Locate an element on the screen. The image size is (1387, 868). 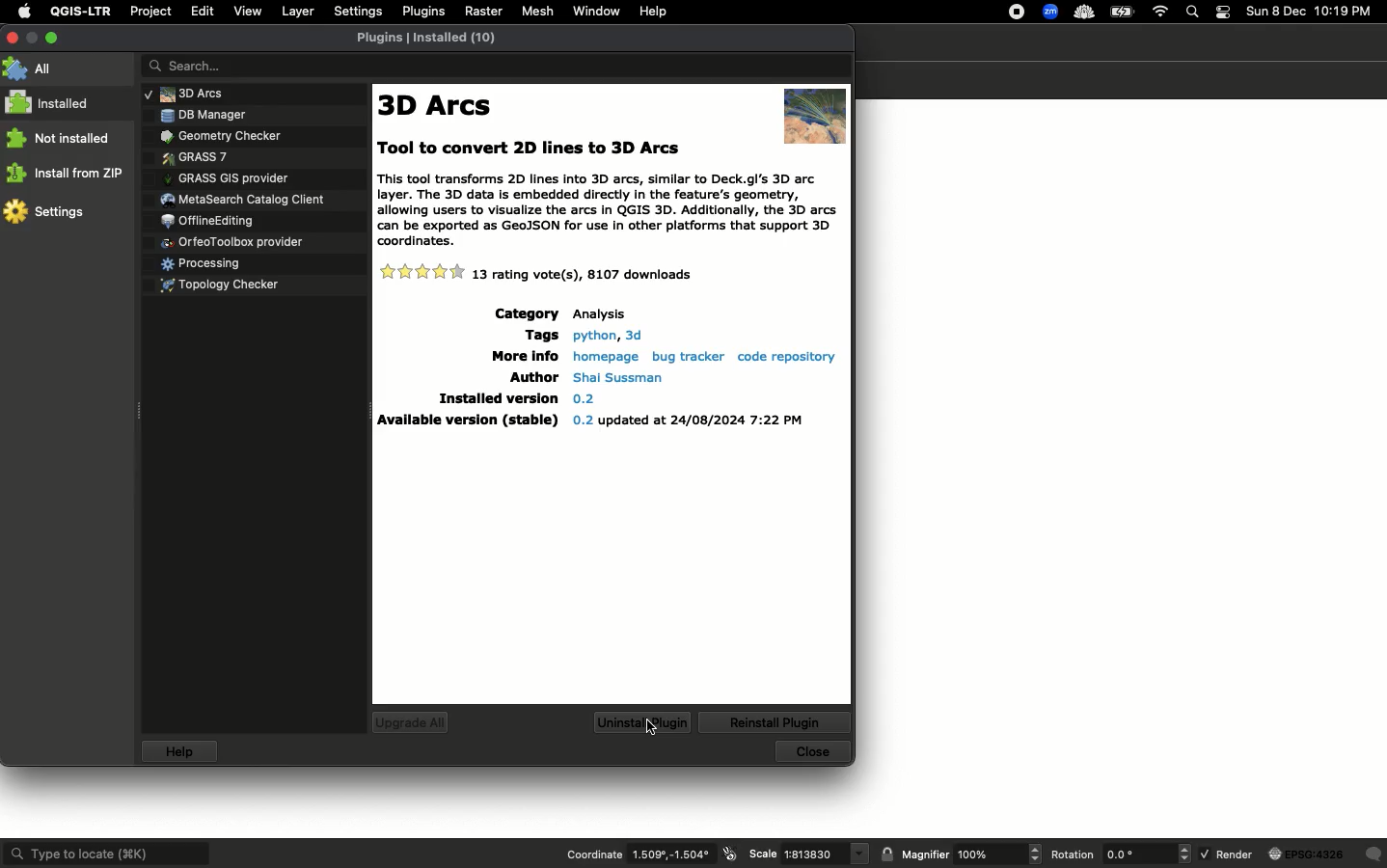
Rotation is located at coordinates (1122, 855).